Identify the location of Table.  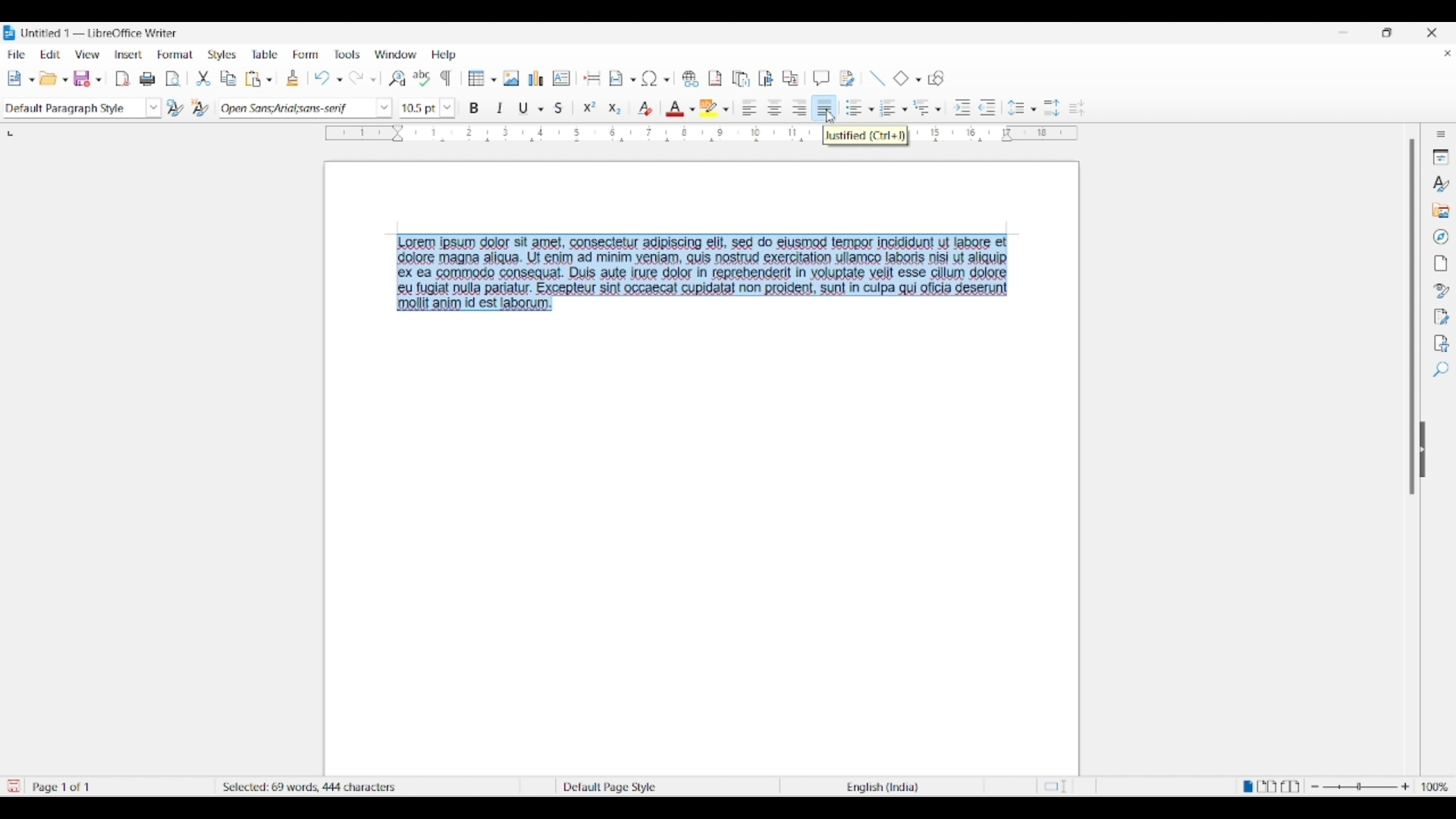
(265, 54).